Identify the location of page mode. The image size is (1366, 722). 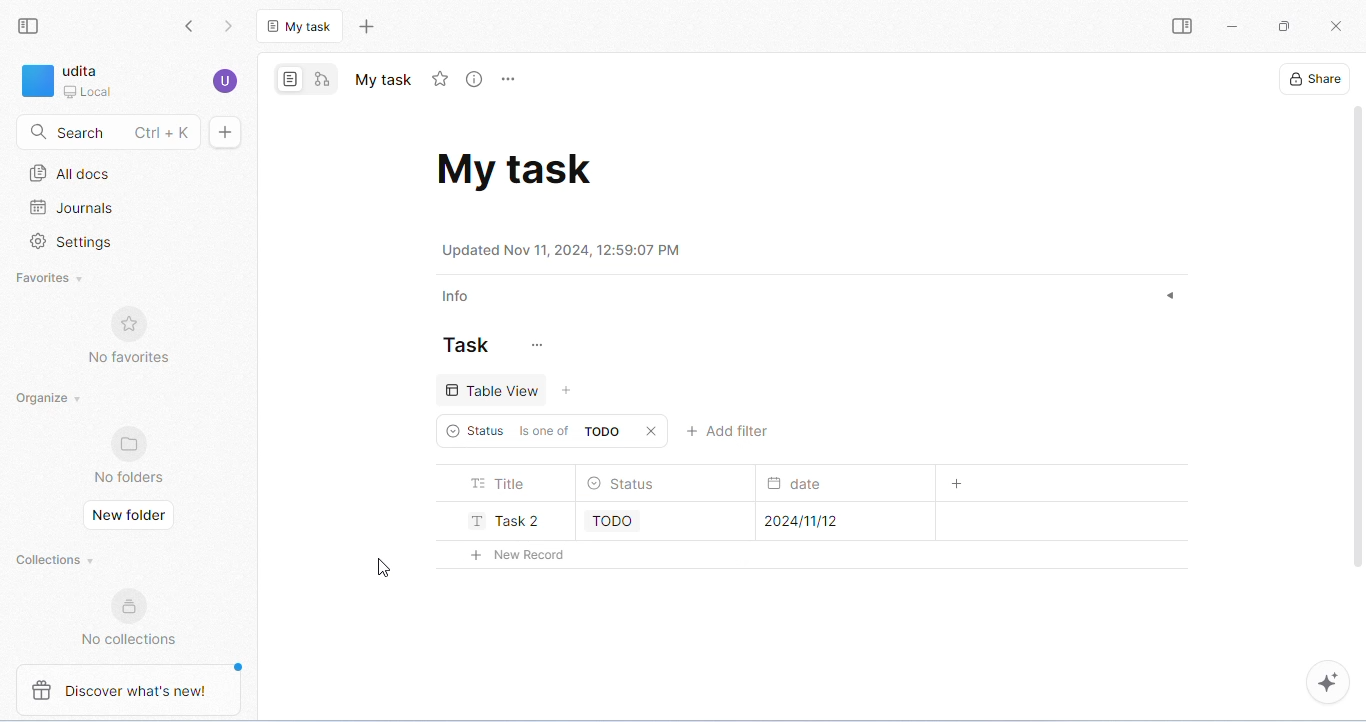
(291, 78).